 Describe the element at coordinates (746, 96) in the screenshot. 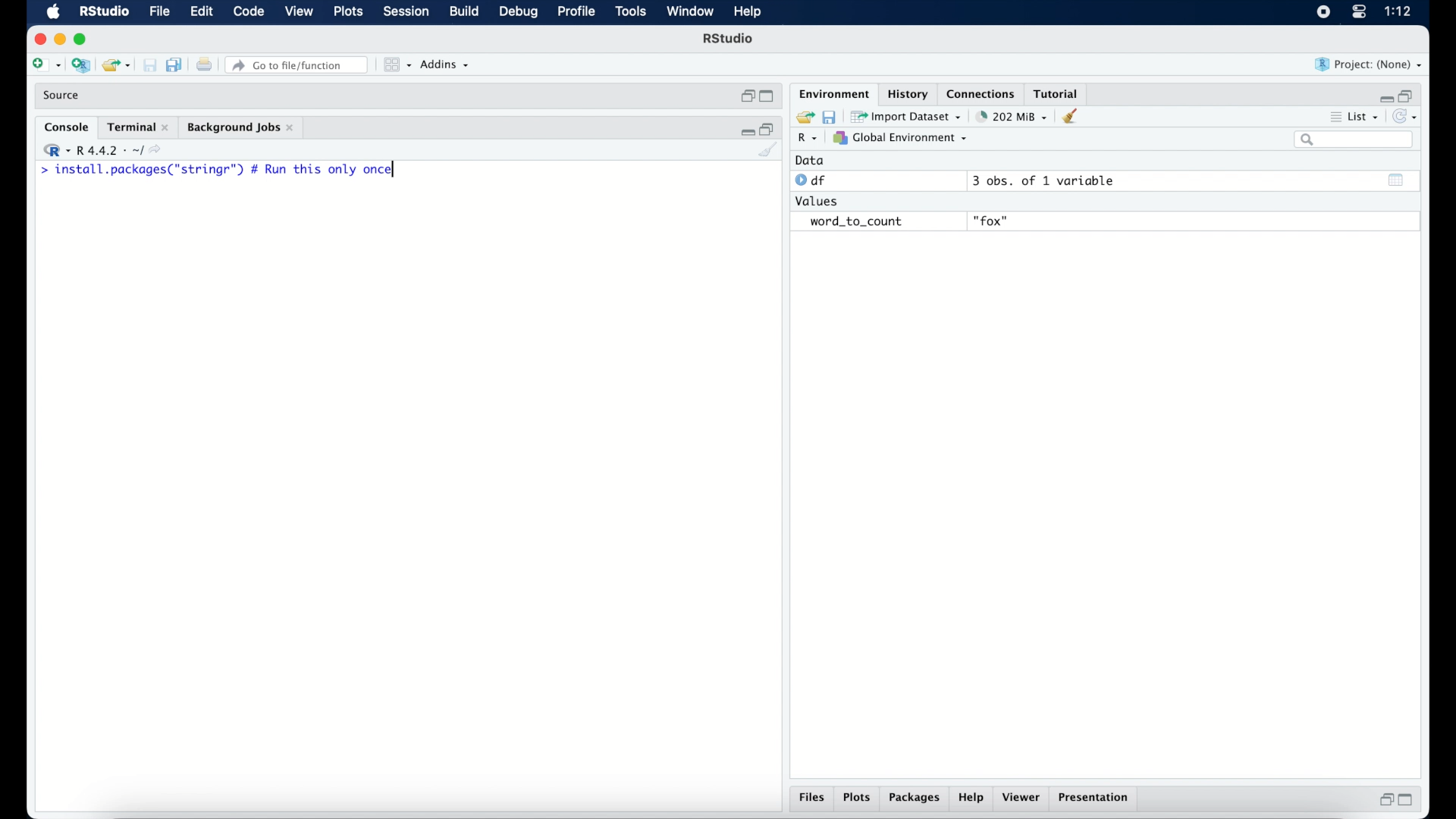

I see `restore down` at that location.